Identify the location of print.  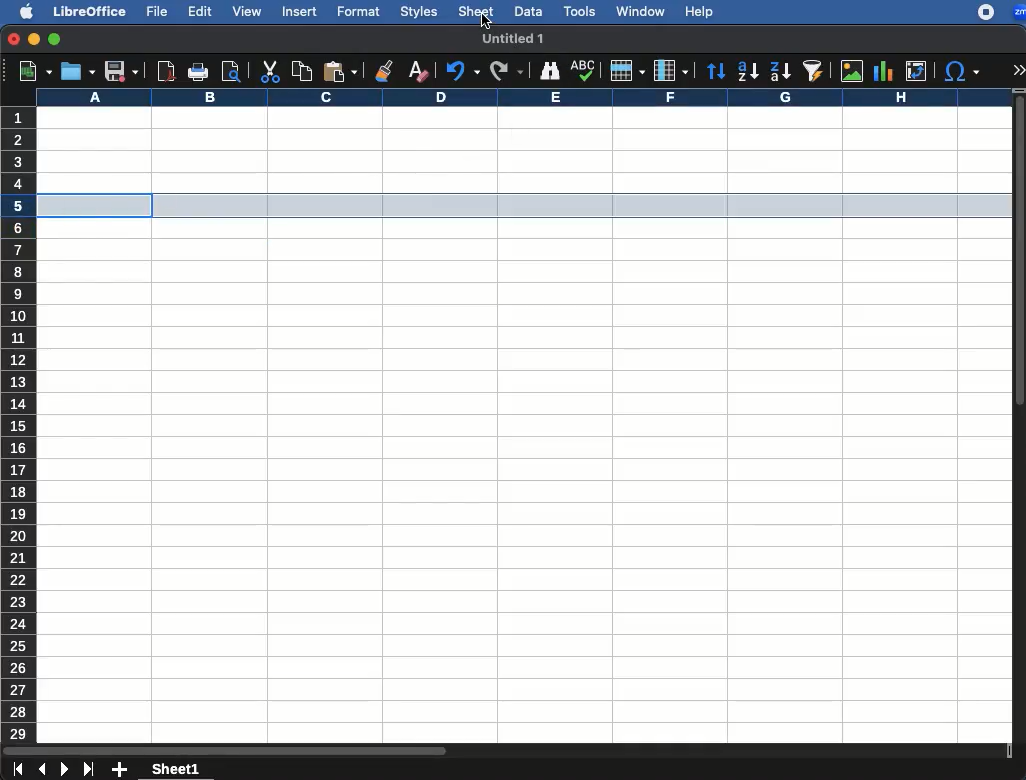
(199, 73).